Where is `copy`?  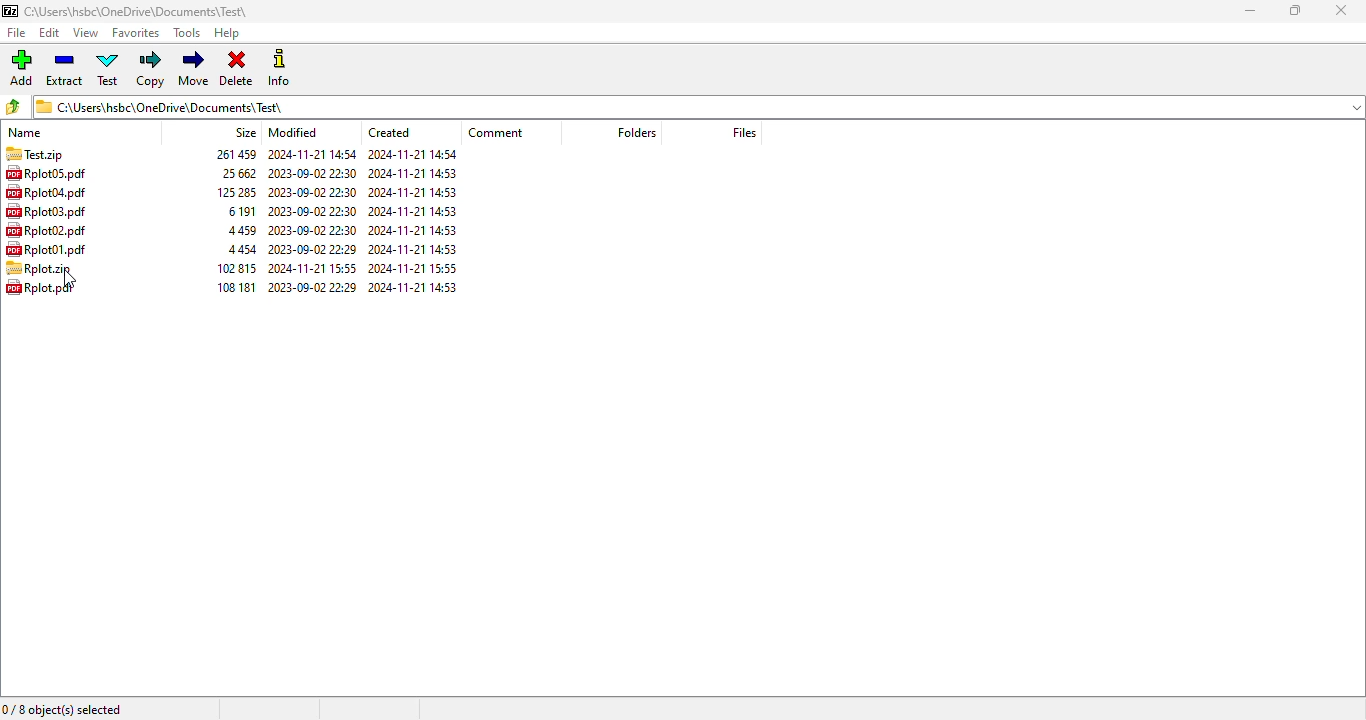
copy is located at coordinates (150, 68).